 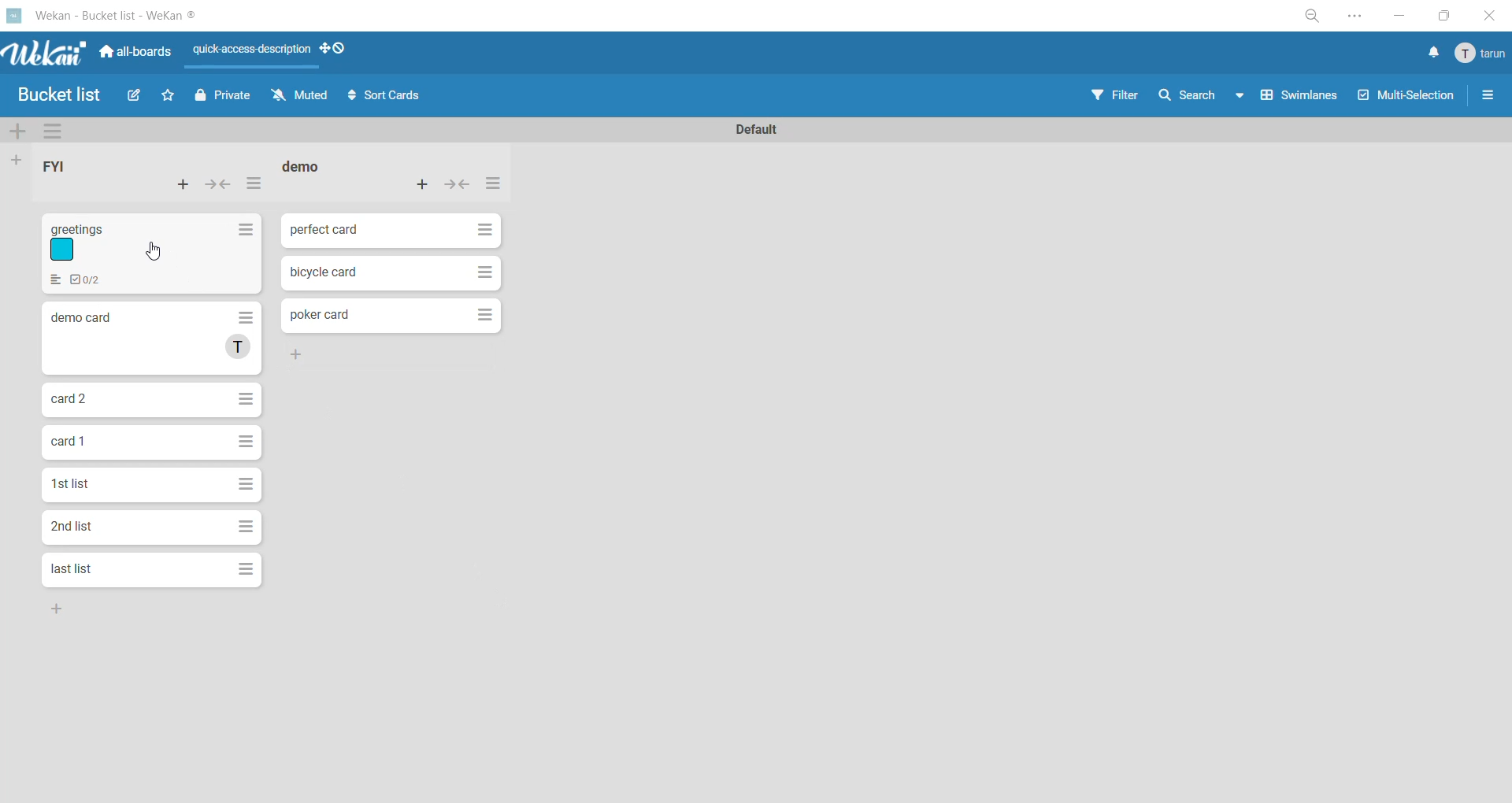 I want to click on WeKan, so click(x=44, y=52).